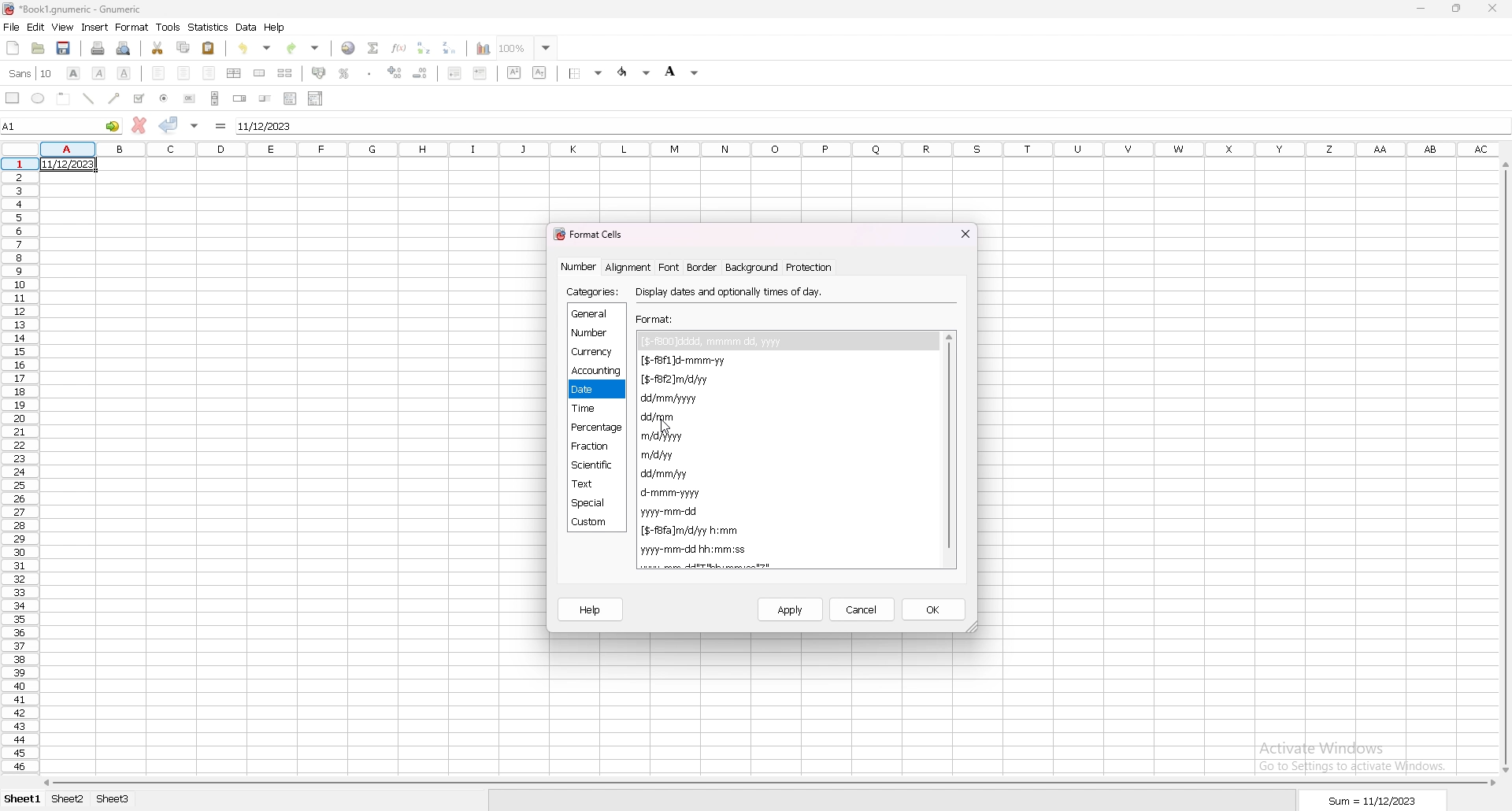  I want to click on tools, so click(168, 28).